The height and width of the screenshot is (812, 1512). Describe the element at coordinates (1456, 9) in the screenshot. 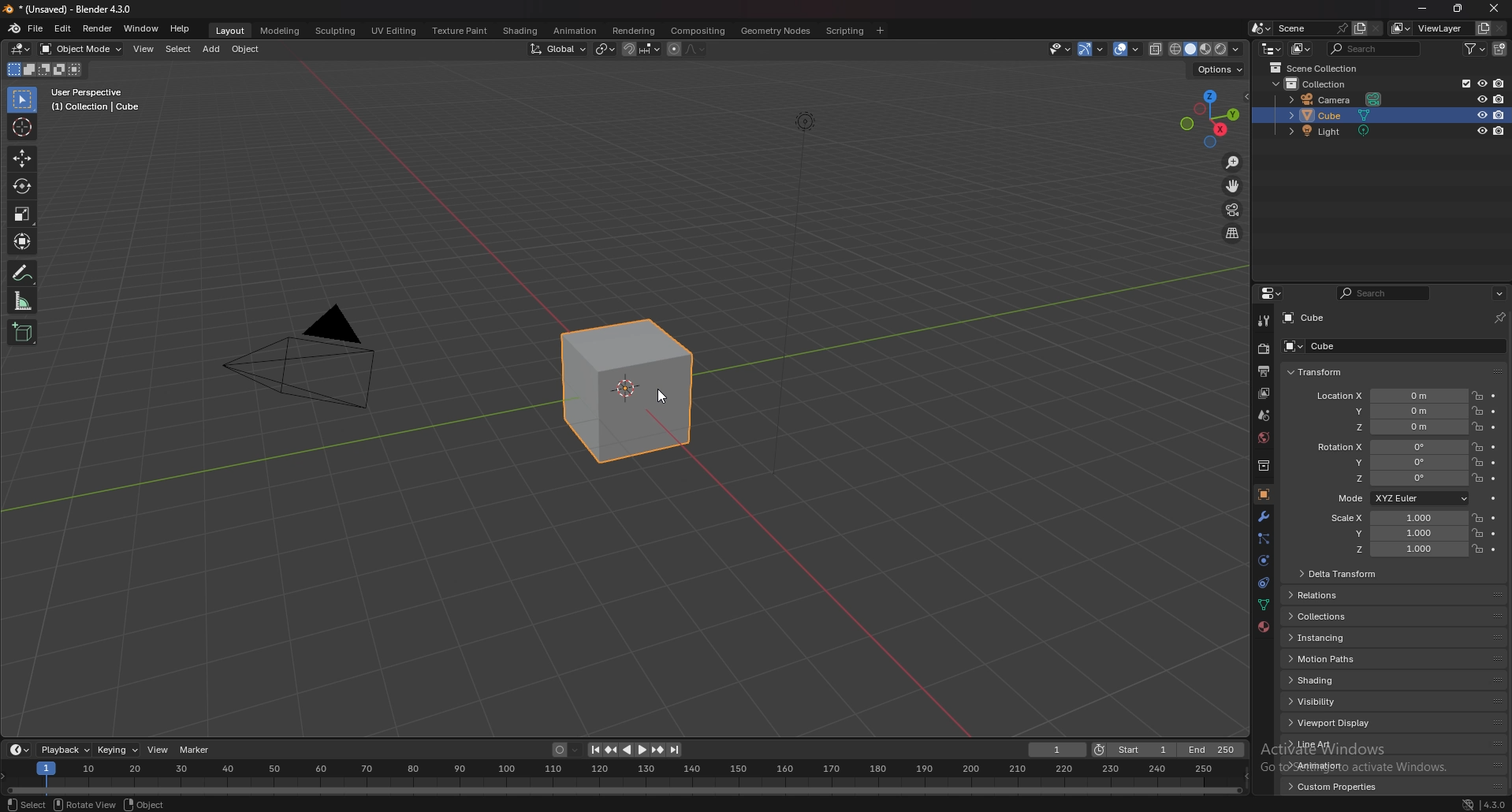

I see `resize` at that location.